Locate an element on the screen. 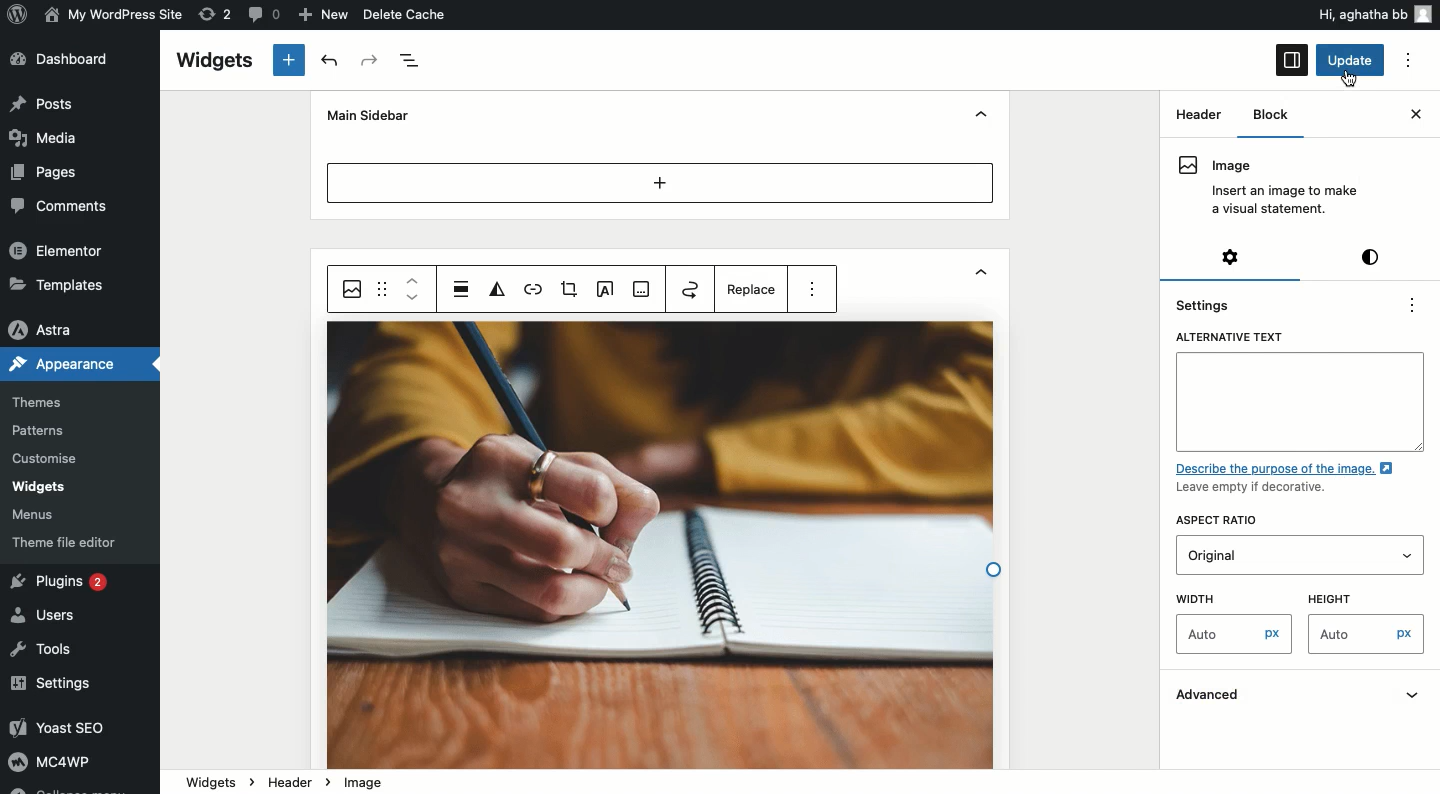  Menus is located at coordinates (36, 516).